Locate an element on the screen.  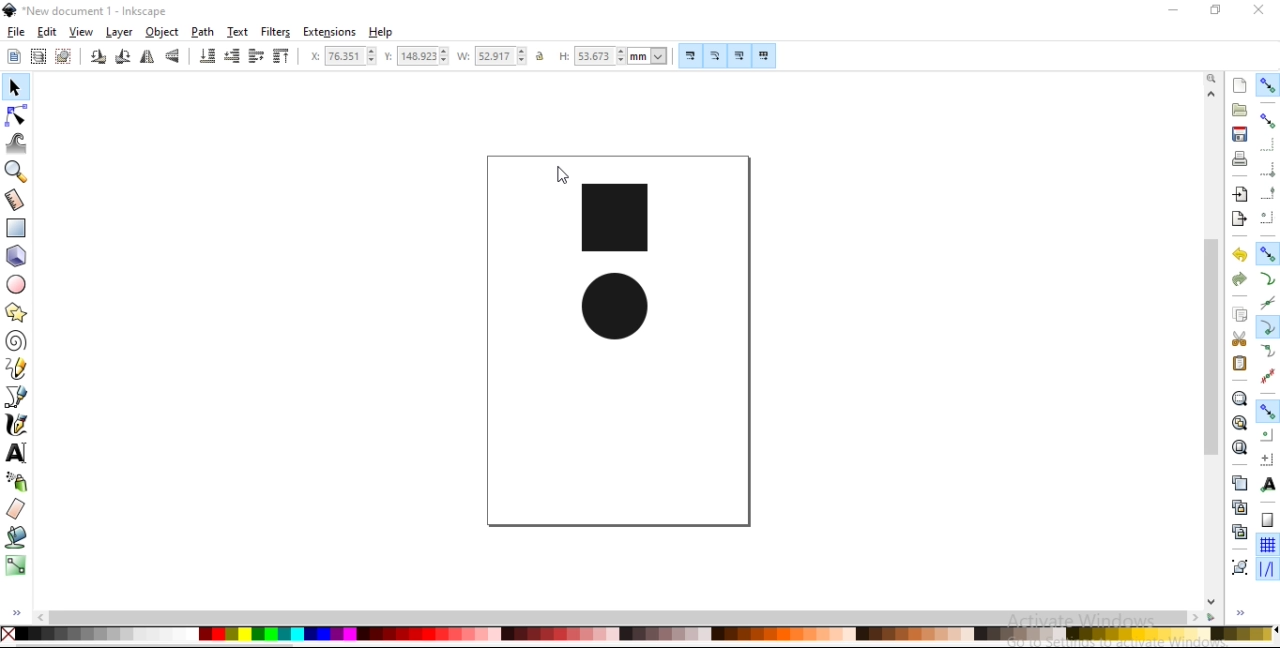
select all objects and nodes is located at coordinates (13, 57).